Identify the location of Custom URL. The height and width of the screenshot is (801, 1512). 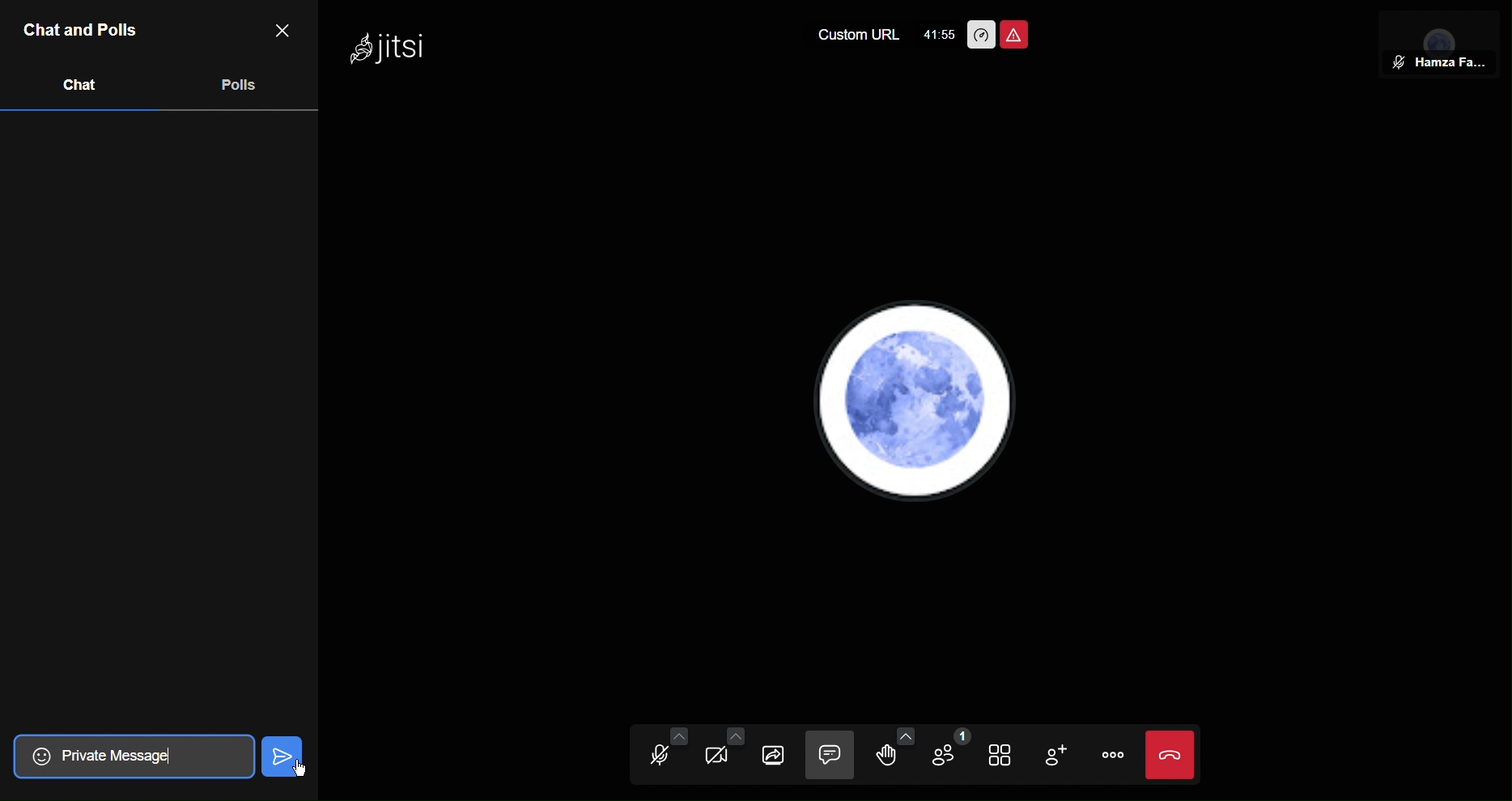
(856, 32).